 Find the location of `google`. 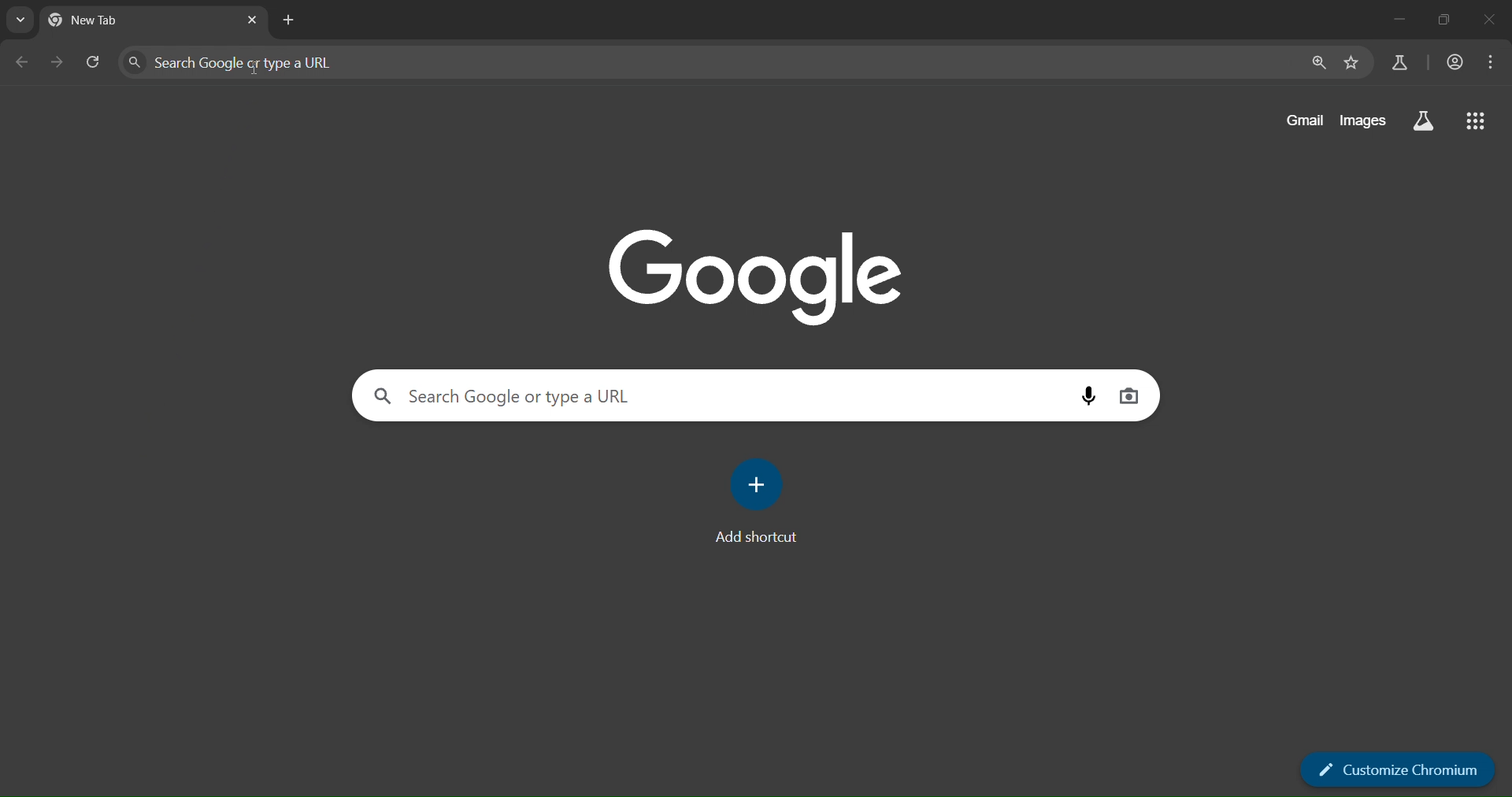

google is located at coordinates (755, 276).